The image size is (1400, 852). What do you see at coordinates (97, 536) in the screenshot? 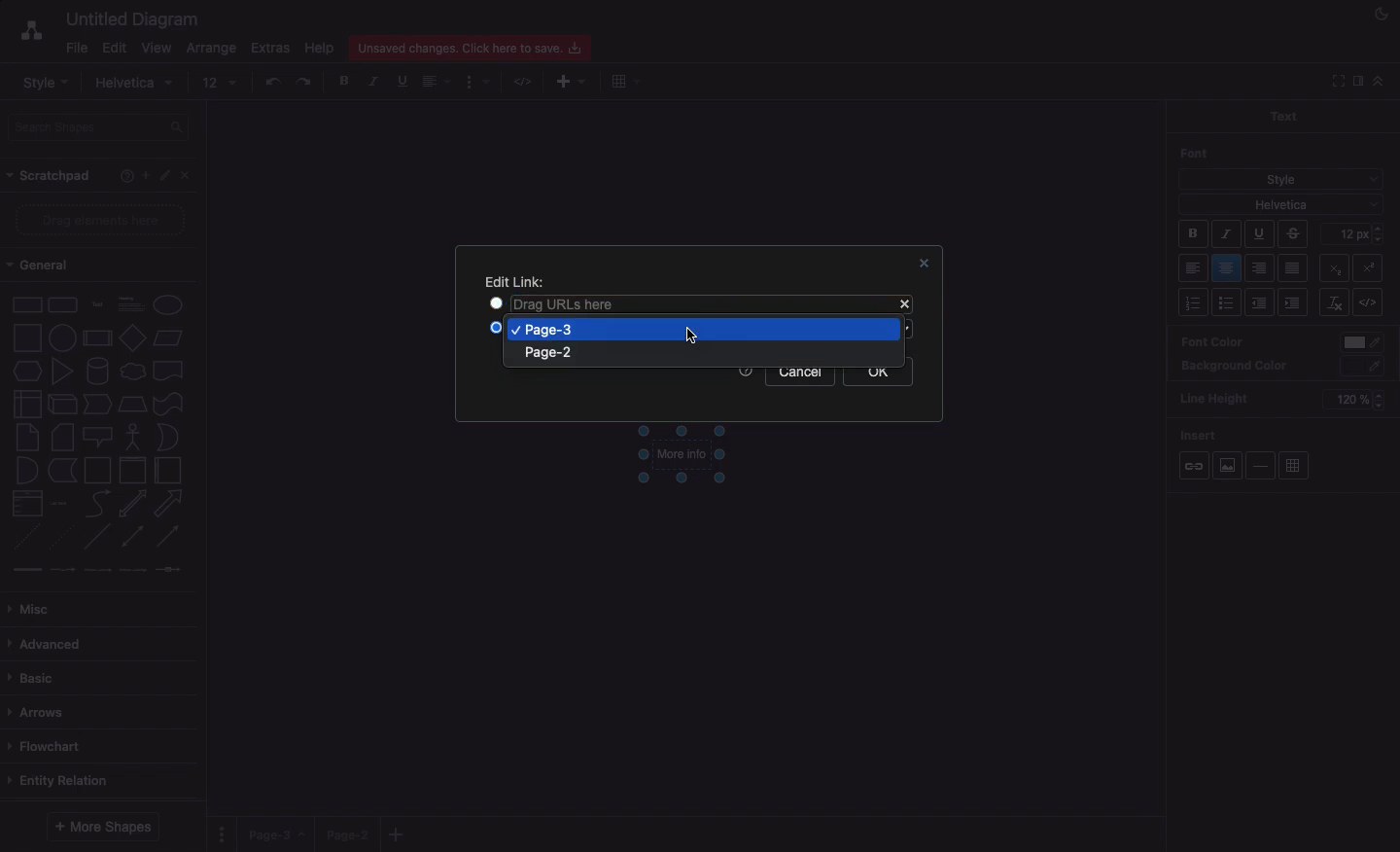
I see `Line` at bounding box center [97, 536].